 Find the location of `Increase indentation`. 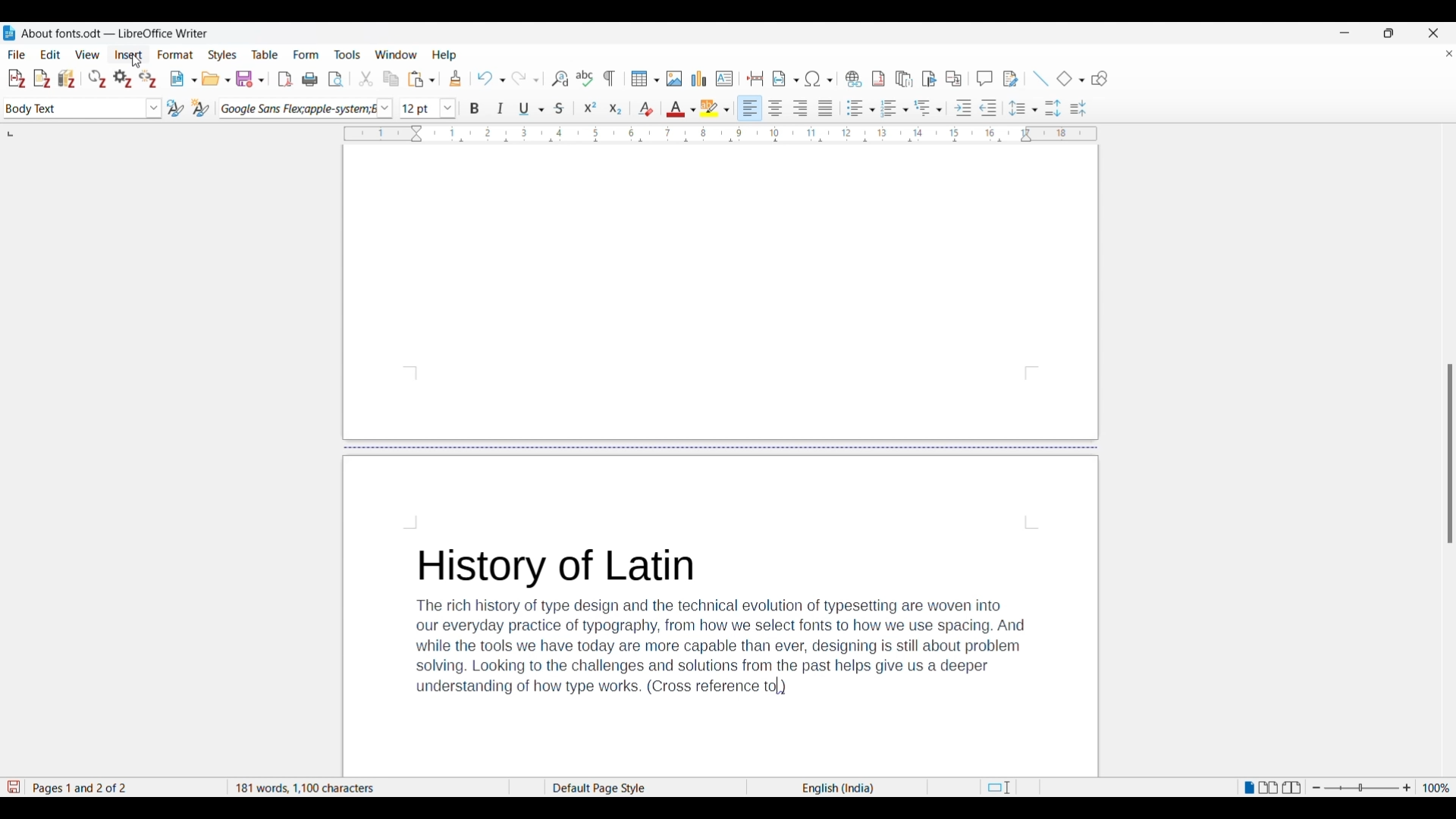

Increase indentation is located at coordinates (963, 108).